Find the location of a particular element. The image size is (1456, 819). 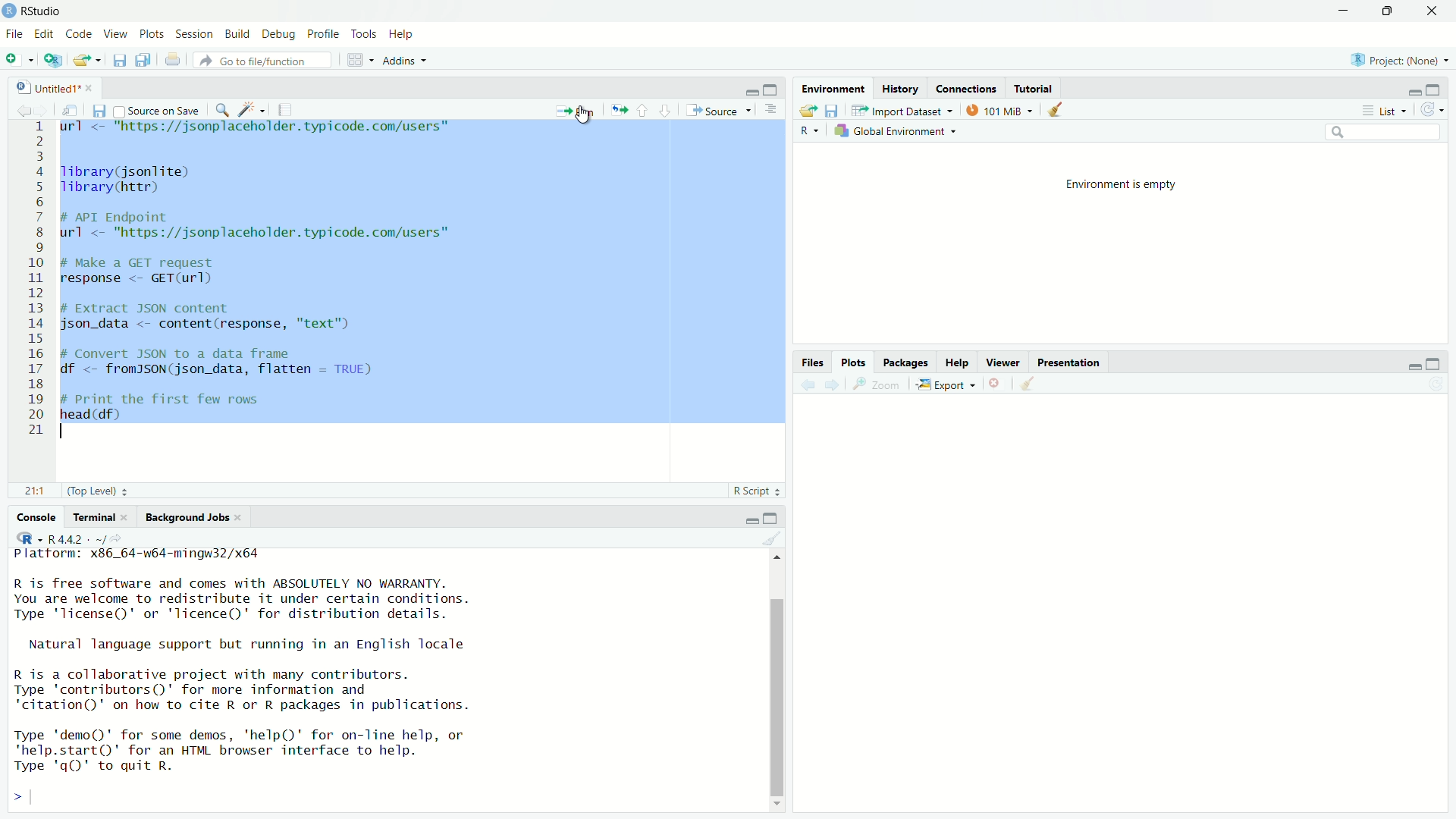

Maximize is located at coordinates (1434, 89).